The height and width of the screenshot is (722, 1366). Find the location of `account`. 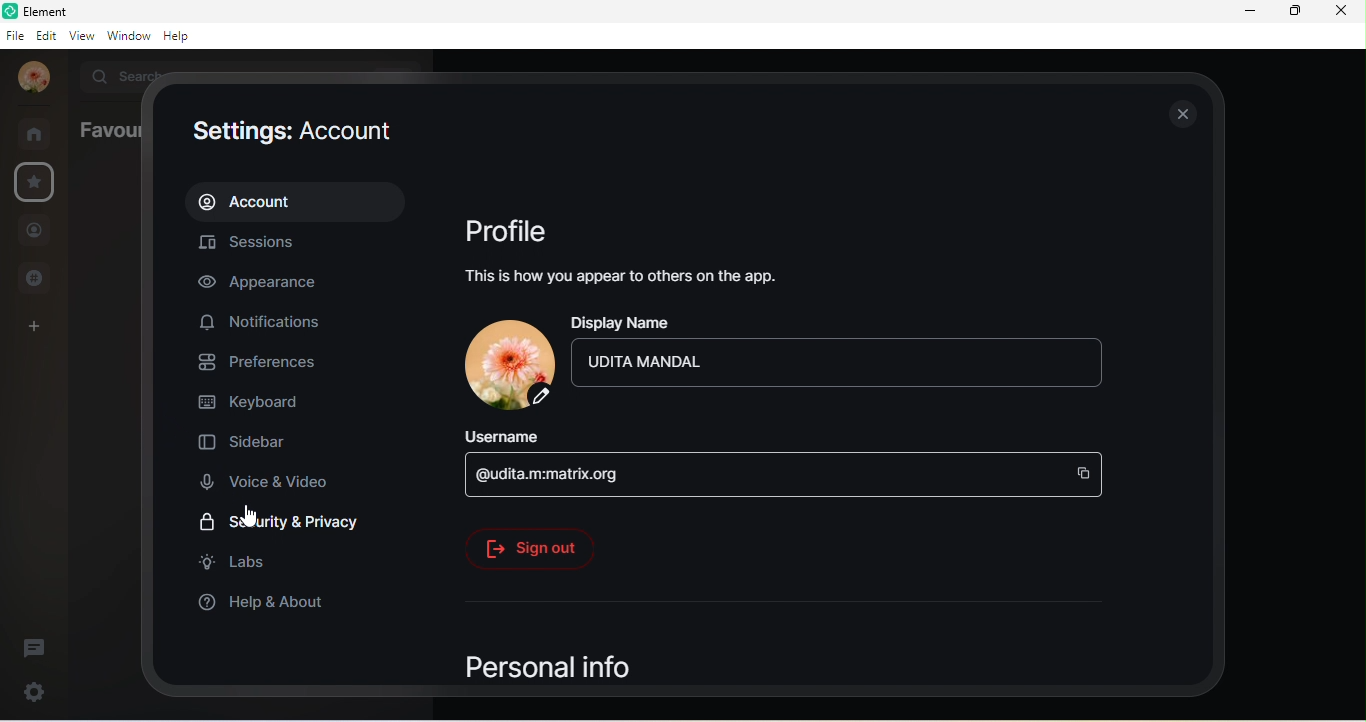

account is located at coordinates (298, 200).